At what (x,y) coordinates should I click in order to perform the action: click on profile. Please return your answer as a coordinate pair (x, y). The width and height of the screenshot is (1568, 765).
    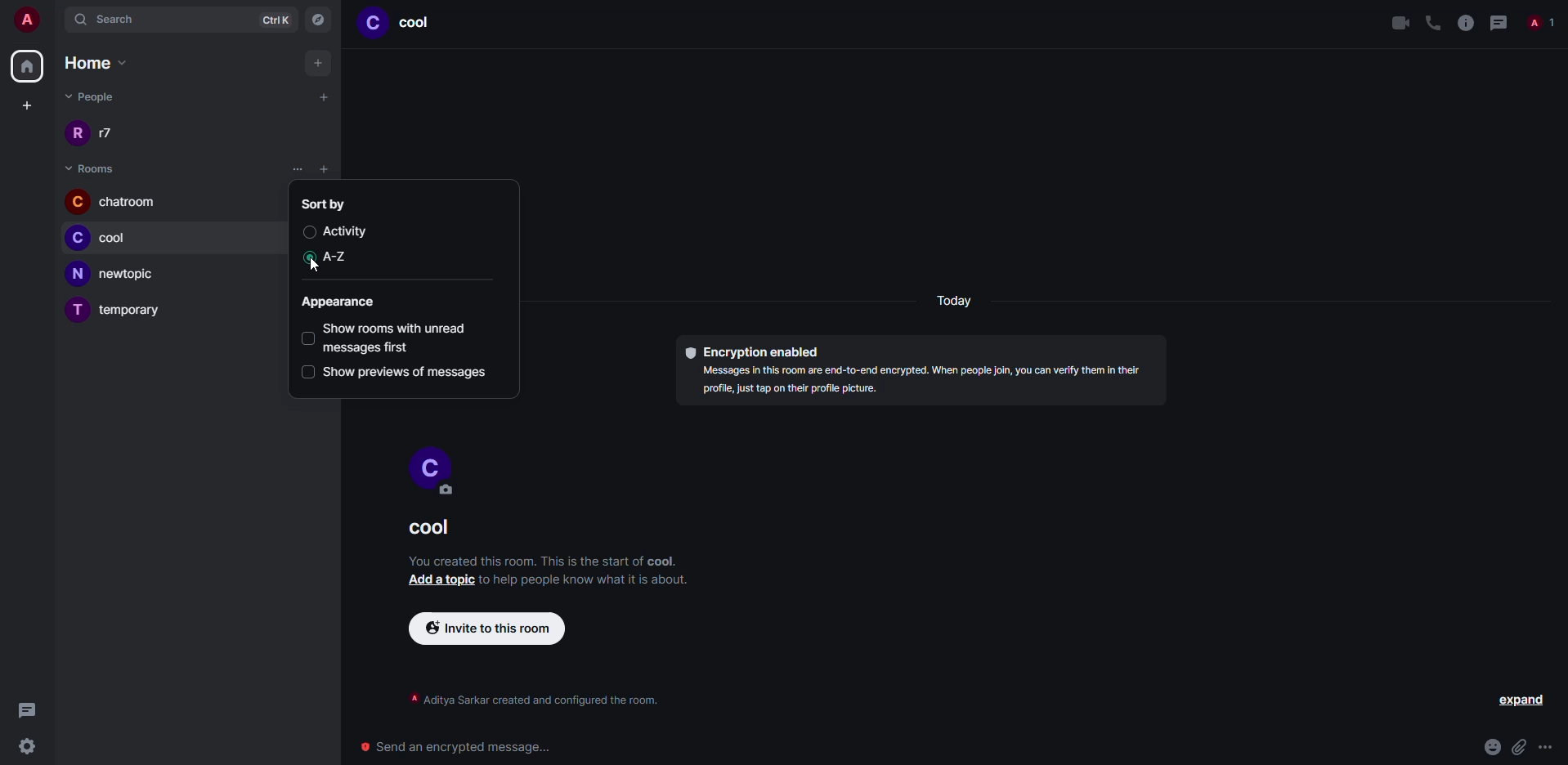
    Looking at the image, I should click on (77, 274).